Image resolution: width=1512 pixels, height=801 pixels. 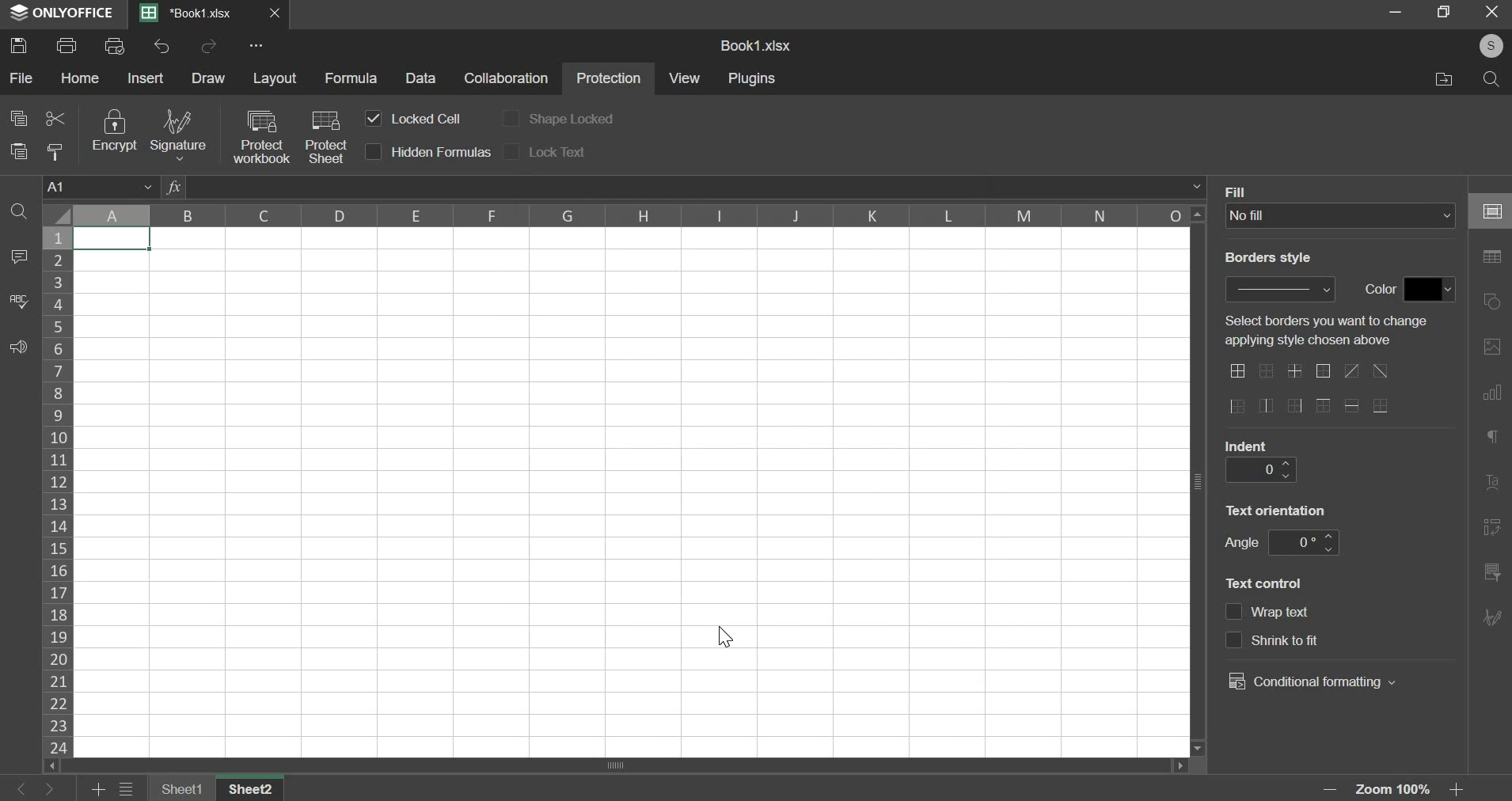 What do you see at coordinates (629, 215) in the screenshot?
I see `column` at bounding box center [629, 215].